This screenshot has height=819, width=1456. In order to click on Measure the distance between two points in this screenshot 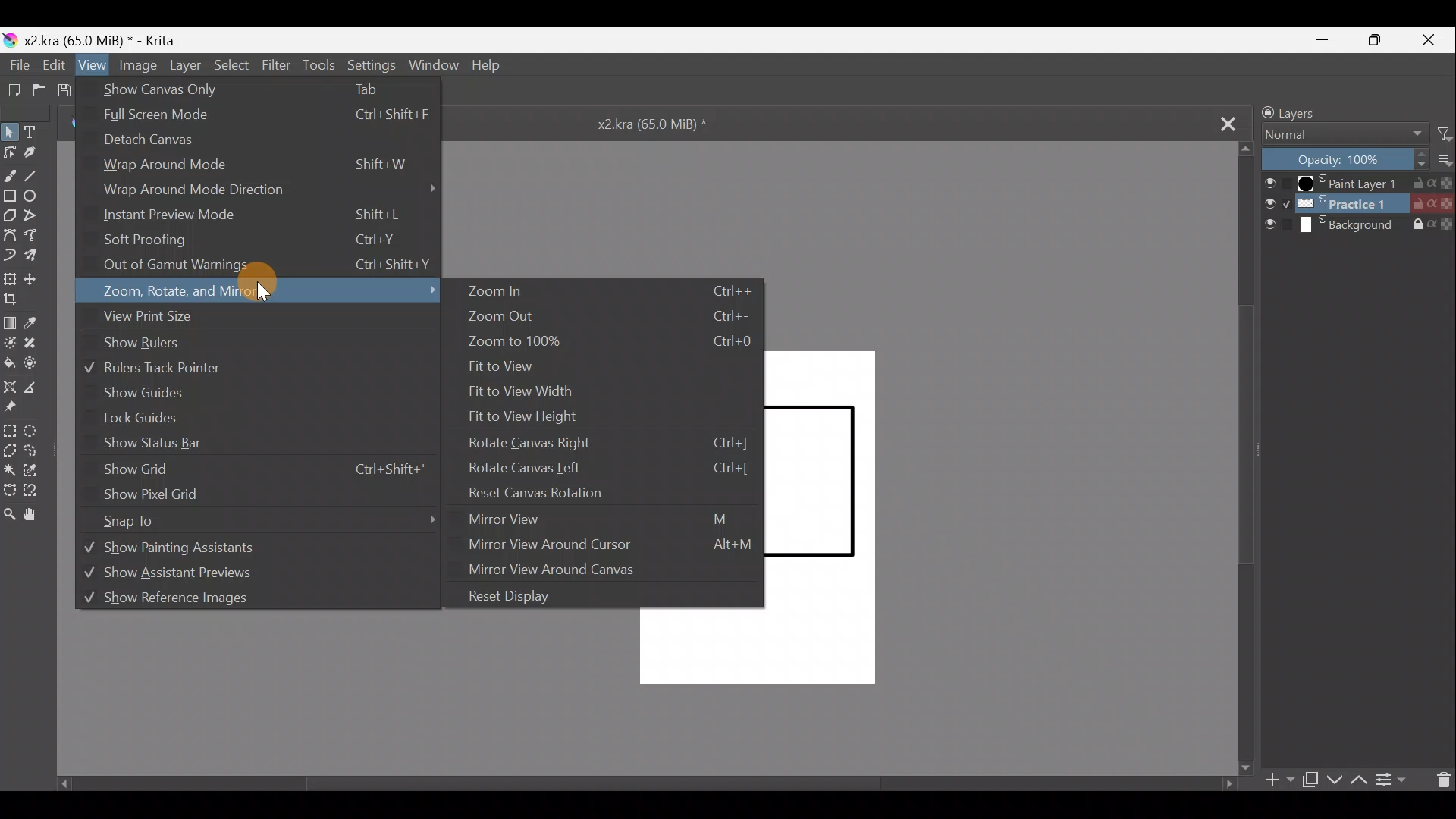, I will do `click(37, 388)`.